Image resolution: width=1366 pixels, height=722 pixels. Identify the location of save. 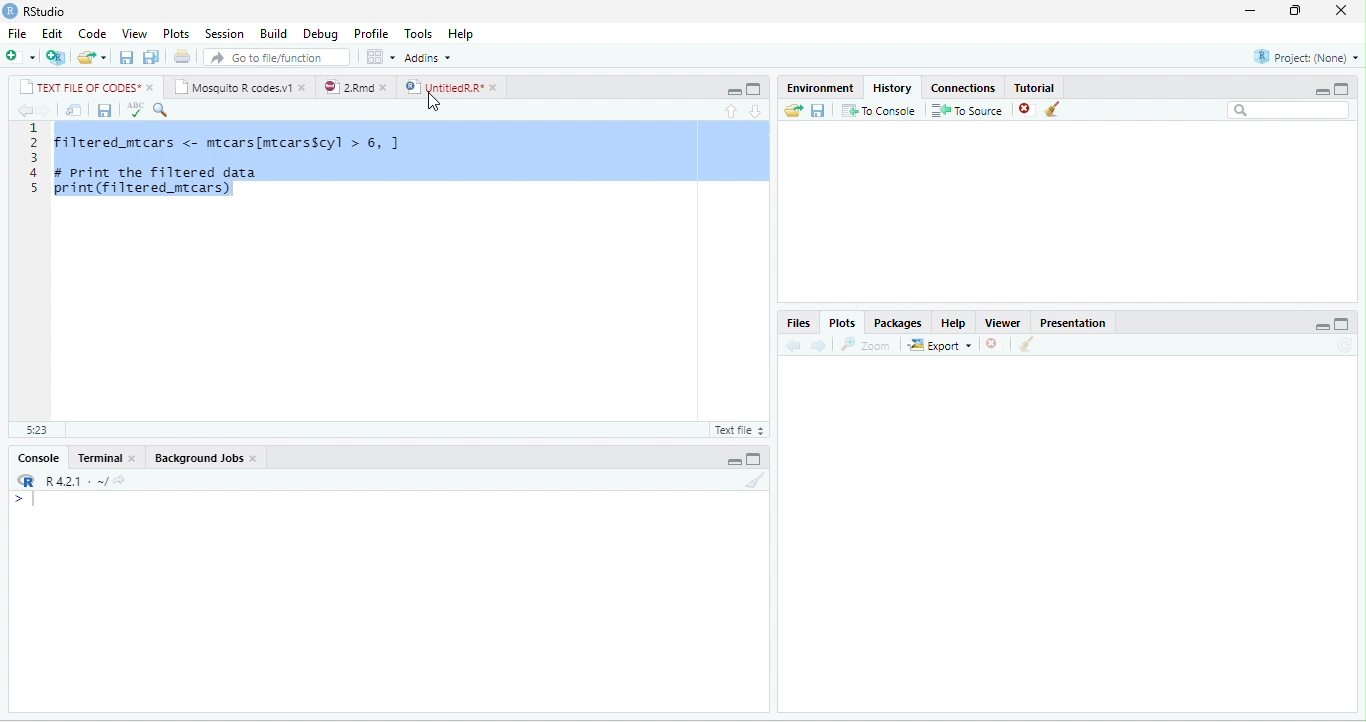
(104, 110).